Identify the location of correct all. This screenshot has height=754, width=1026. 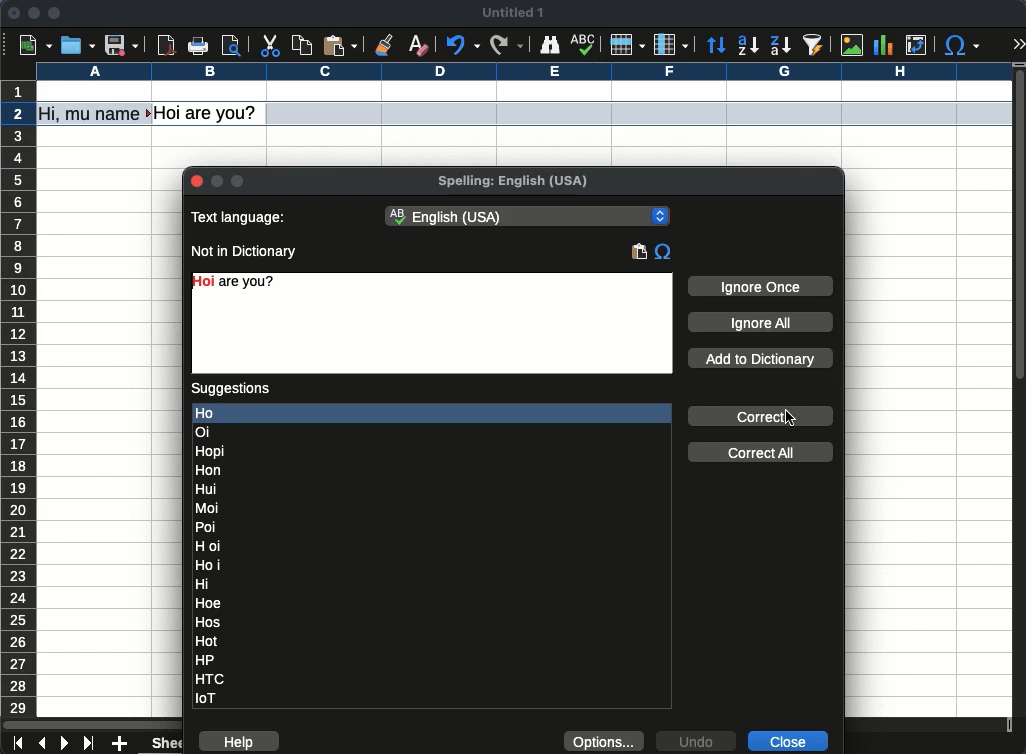
(762, 452).